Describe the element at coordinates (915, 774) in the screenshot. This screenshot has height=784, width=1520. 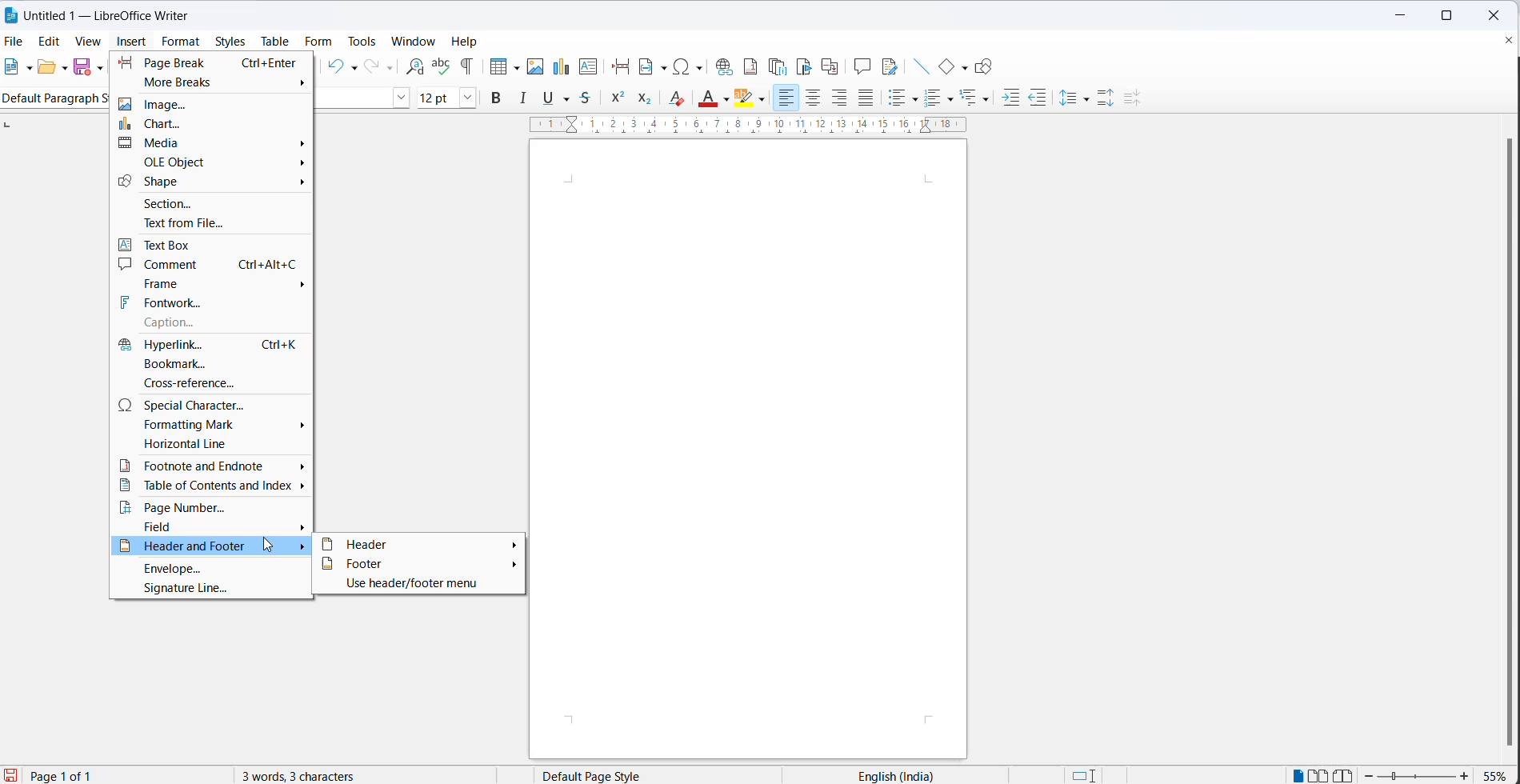
I see `text language` at that location.